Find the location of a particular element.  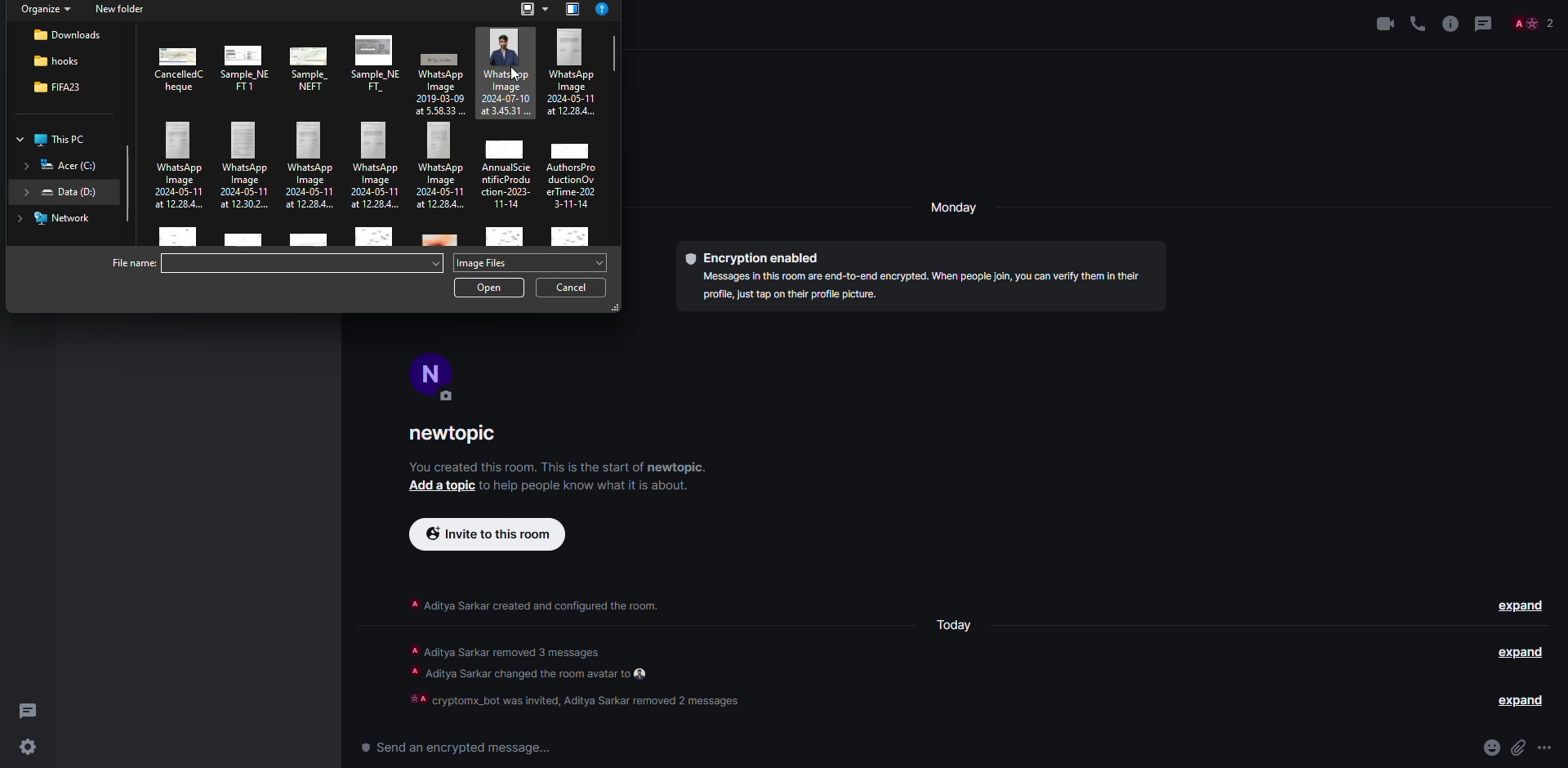

click to select is located at coordinates (179, 169).